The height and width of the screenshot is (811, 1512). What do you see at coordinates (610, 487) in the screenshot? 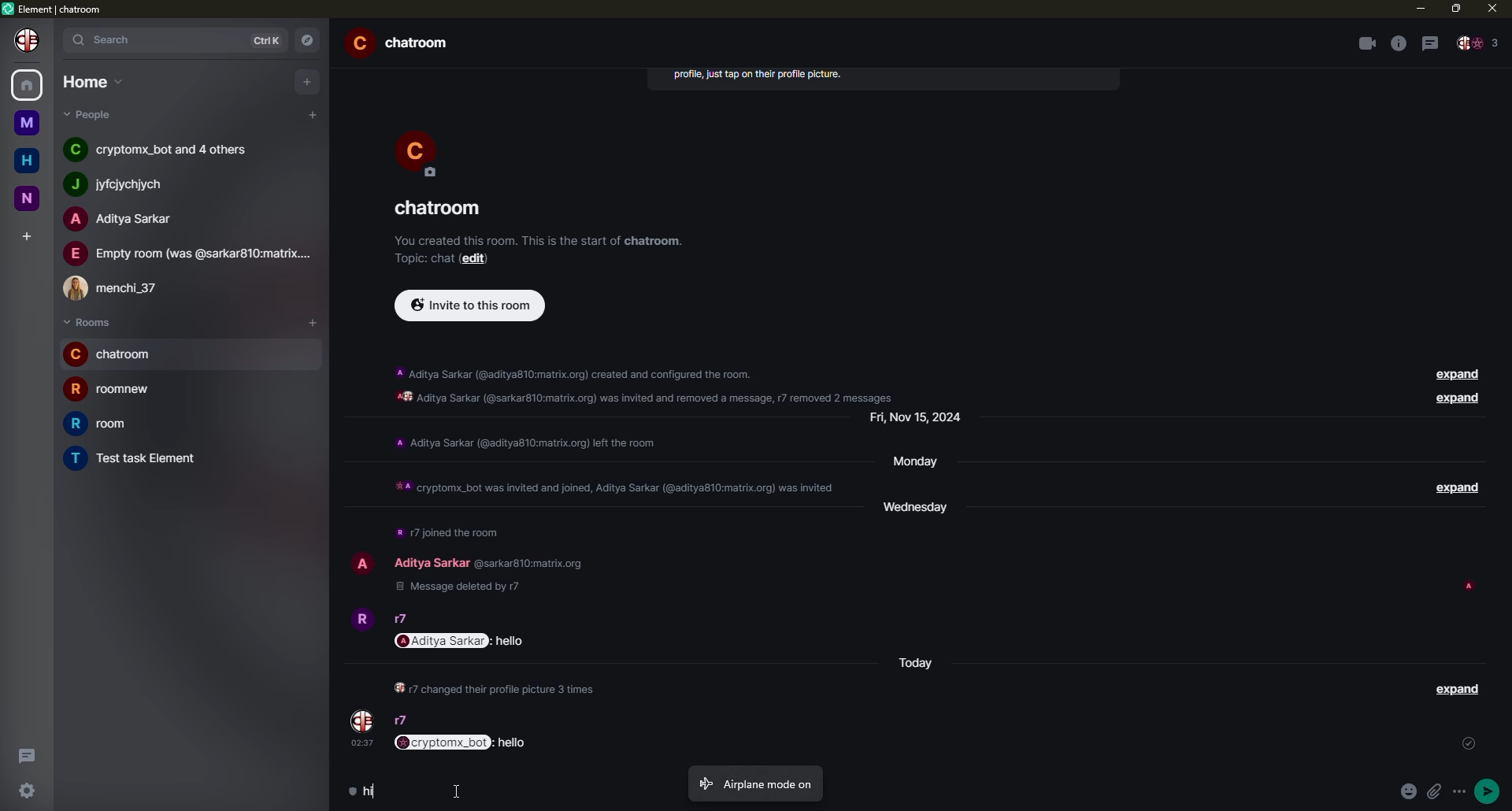
I see `info` at bounding box center [610, 487].